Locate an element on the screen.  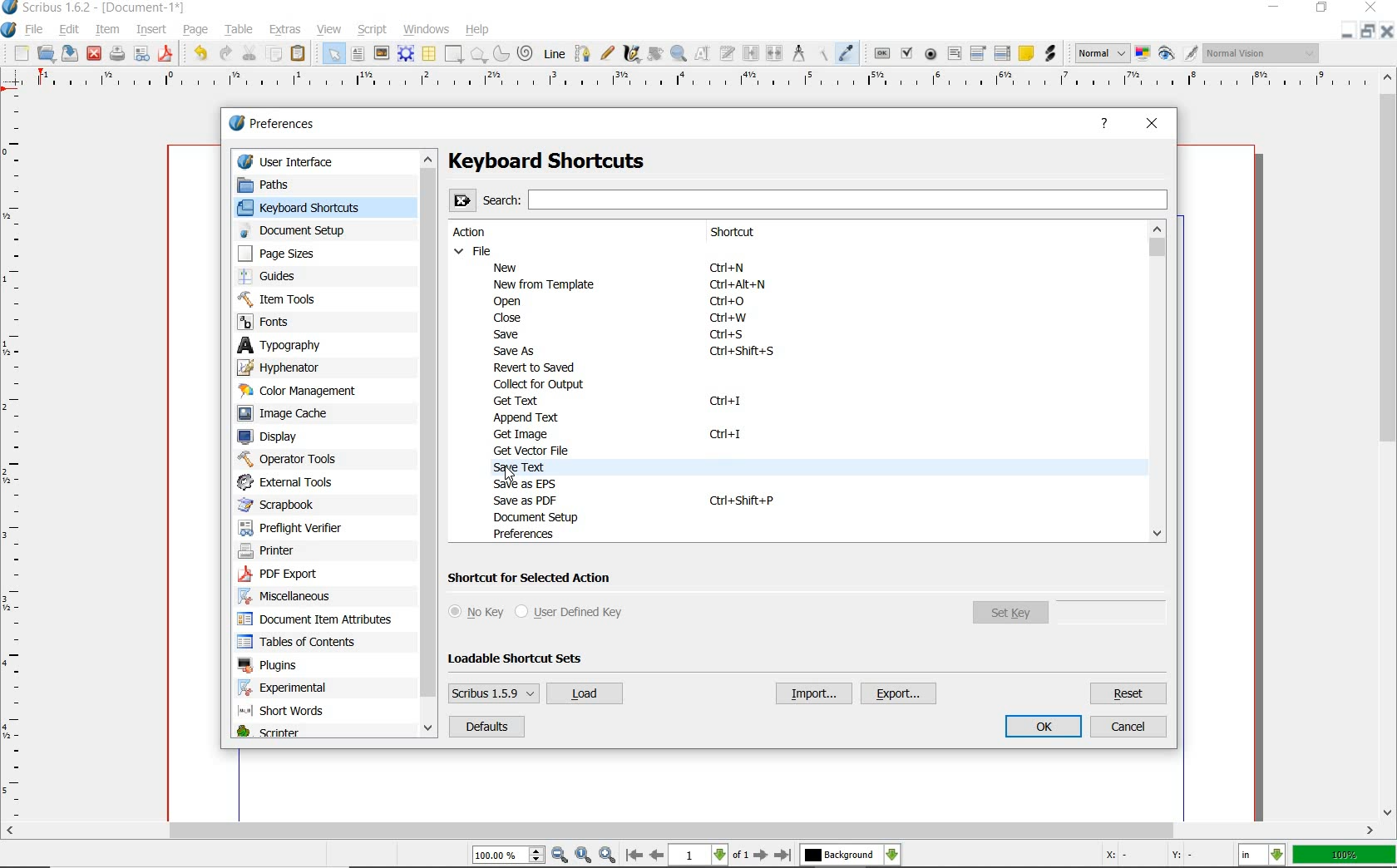
render frame is located at coordinates (405, 54).